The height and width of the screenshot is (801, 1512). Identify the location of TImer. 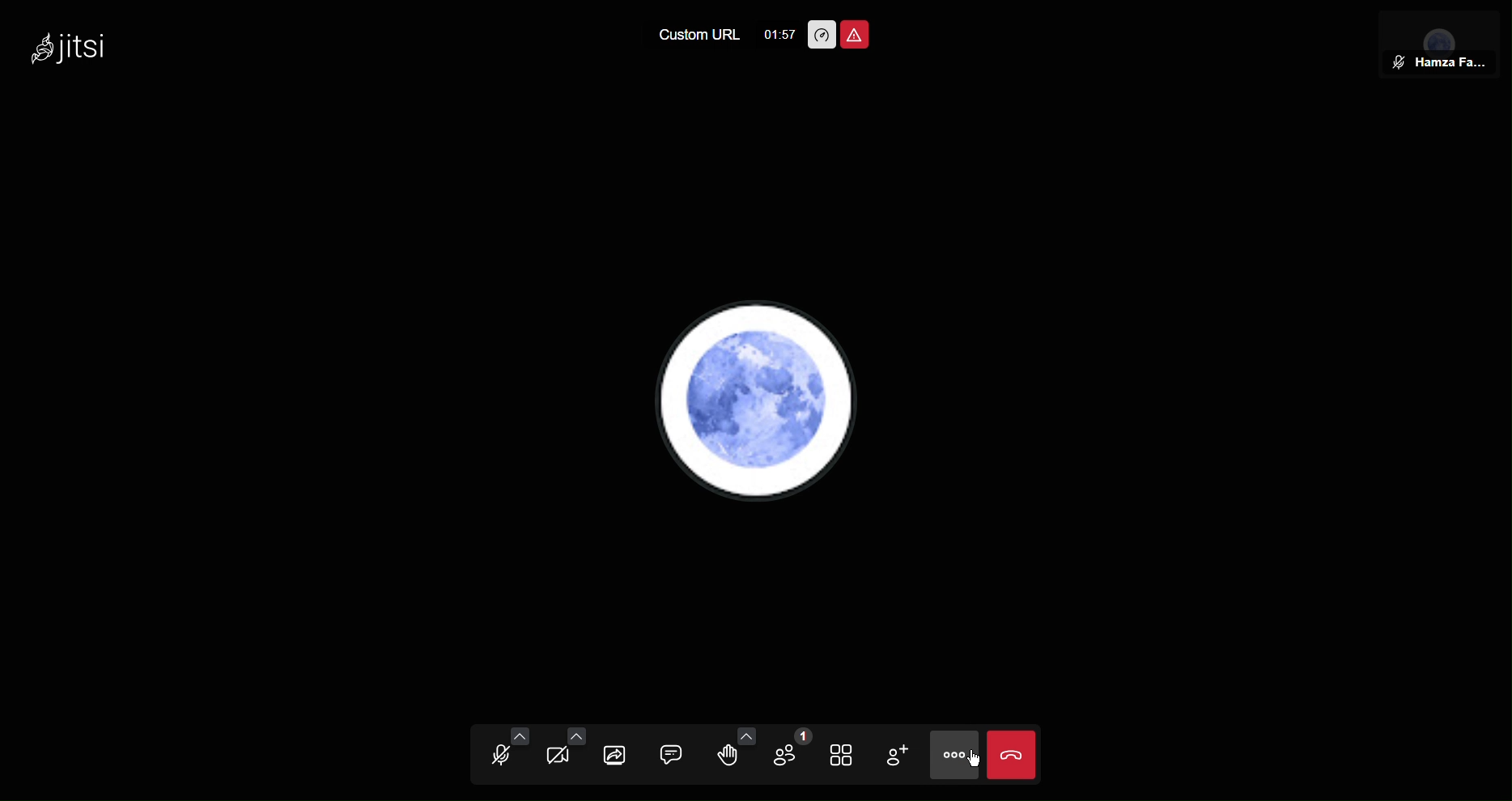
(777, 34).